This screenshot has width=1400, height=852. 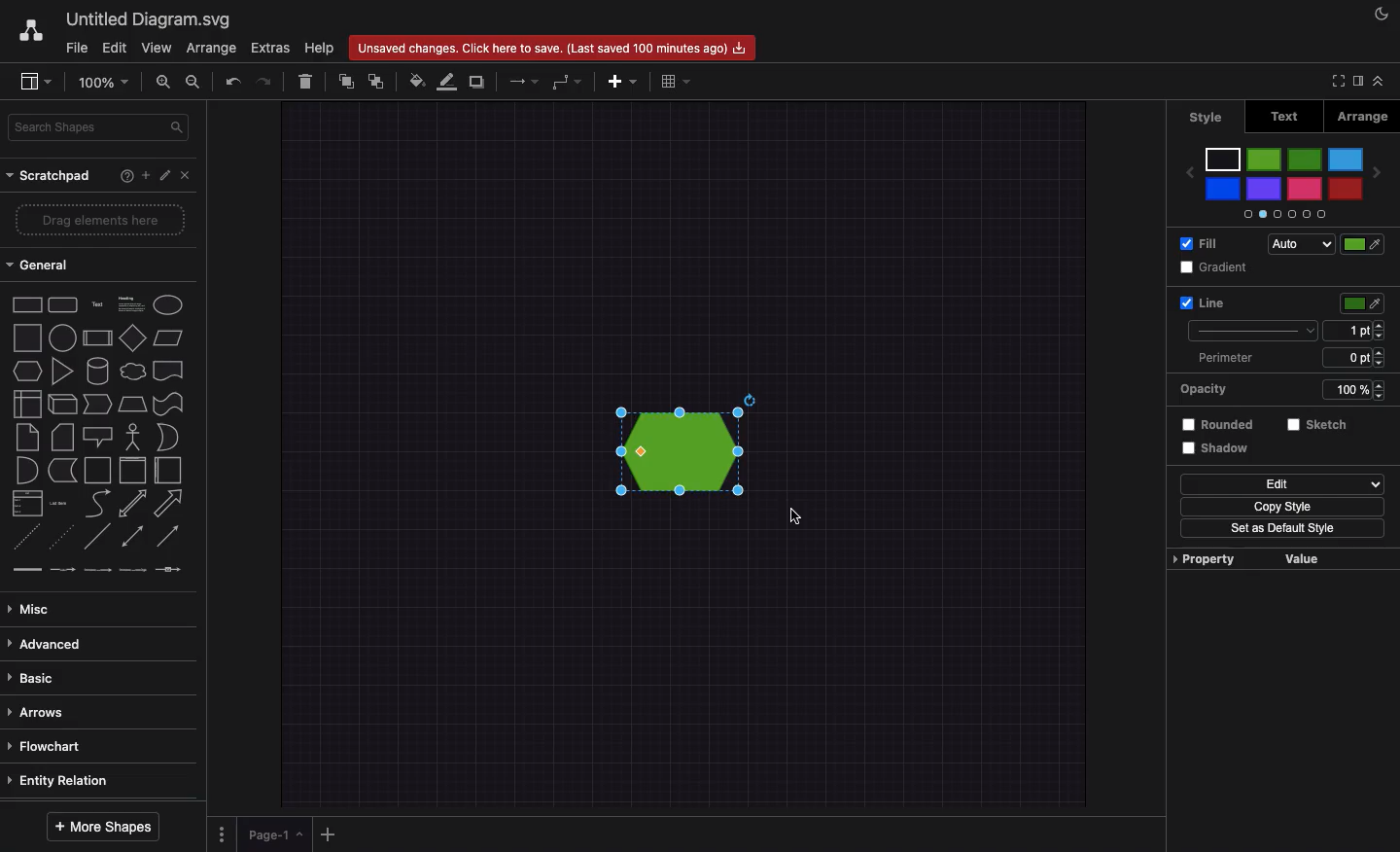 What do you see at coordinates (1248, 331) in the screenshot?
I see `Type` at bounding box center [1248, 331].